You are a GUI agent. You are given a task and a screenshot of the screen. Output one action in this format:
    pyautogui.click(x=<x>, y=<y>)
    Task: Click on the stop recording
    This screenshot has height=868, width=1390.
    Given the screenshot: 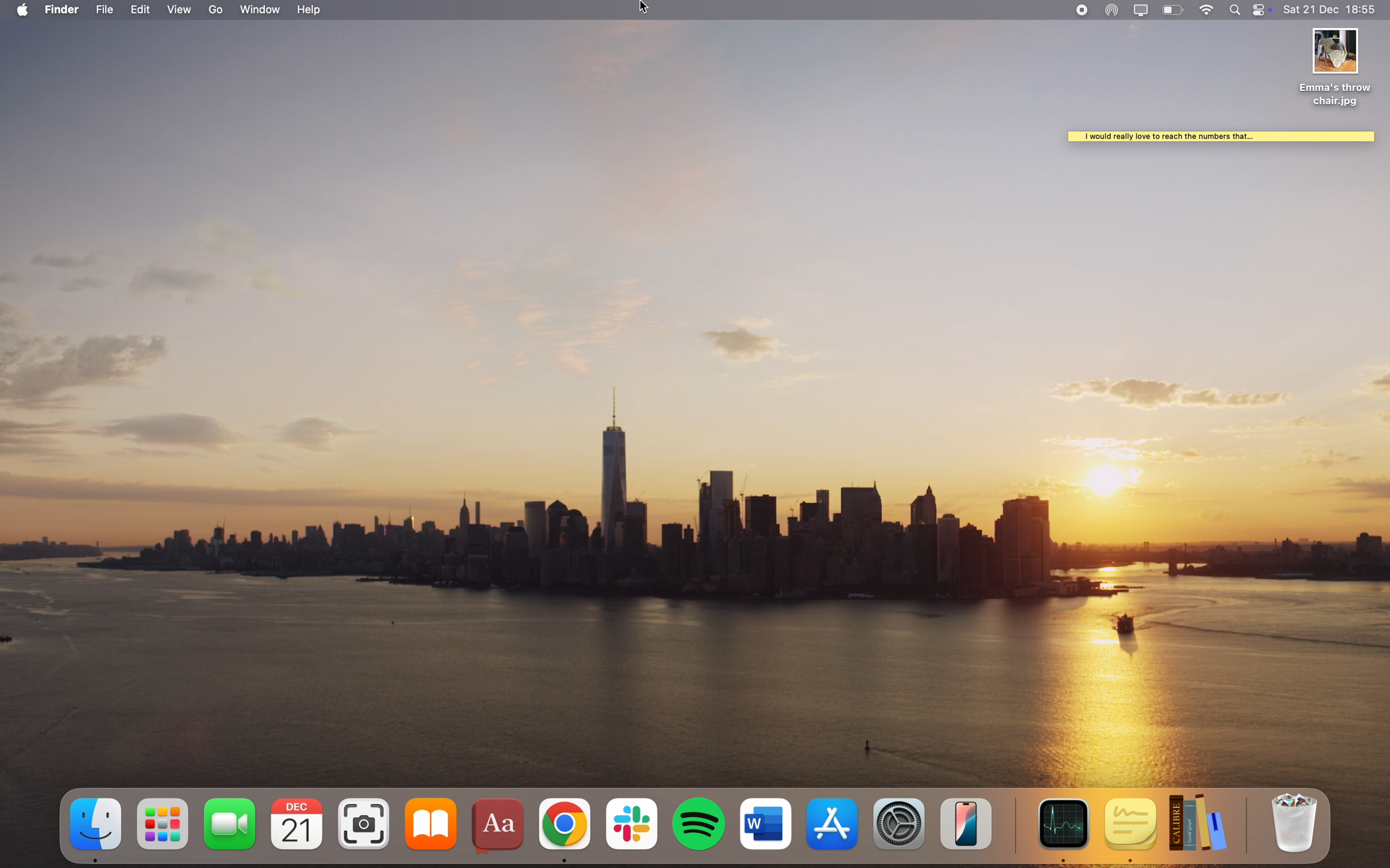 What is the action you would take?
    pyautogui.click(x=1079, y=9)
    